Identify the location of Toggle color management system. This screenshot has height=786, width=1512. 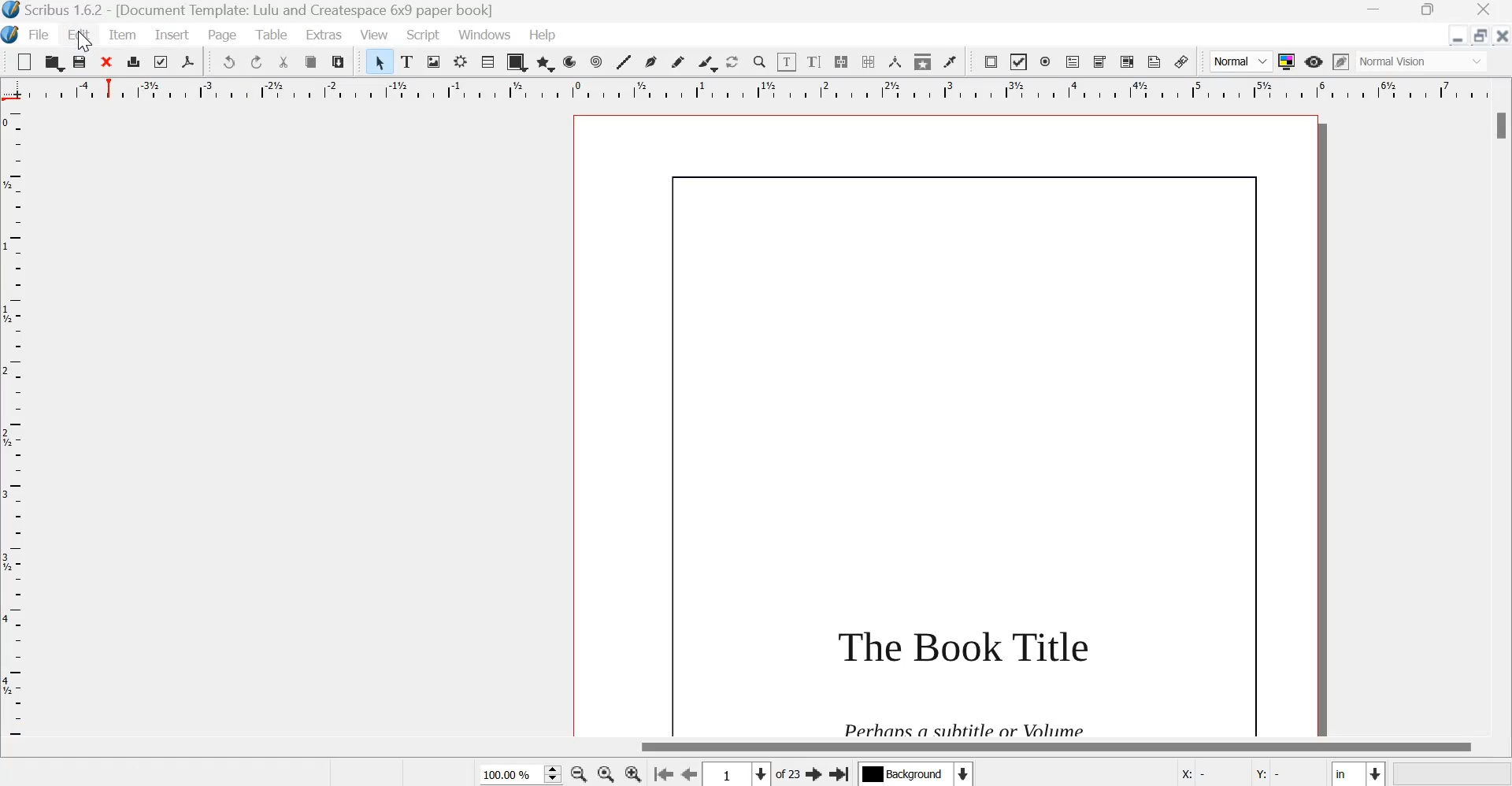
(1287, 61).